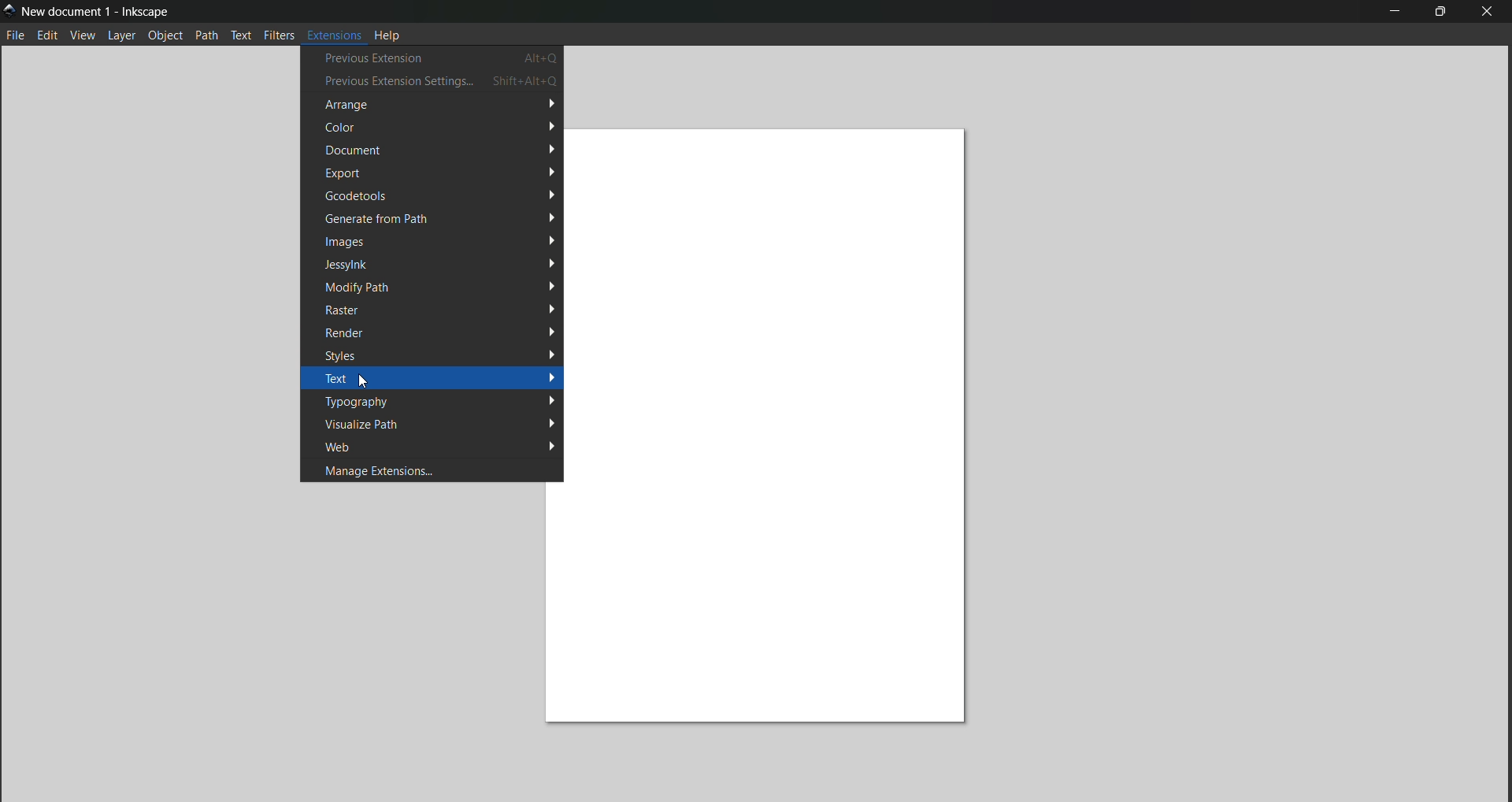 Image resolution: width=1512 pixels, height=802 pixels. What do you see at coordinates (432, 105) in the screenshot?
I see `arrange` at bounding box center [432, 105].